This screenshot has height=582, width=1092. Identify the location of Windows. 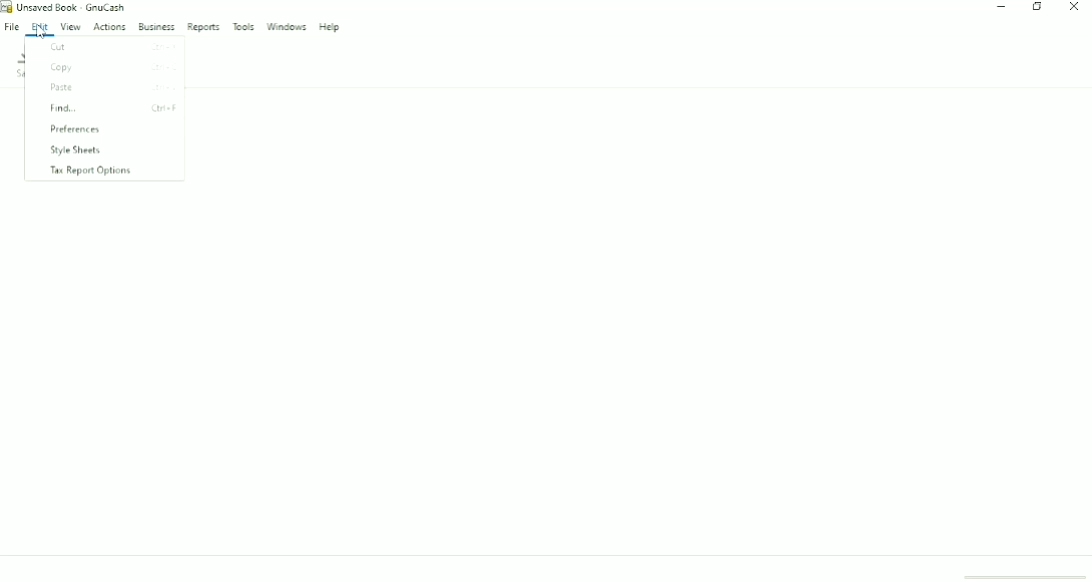
(287, 27).